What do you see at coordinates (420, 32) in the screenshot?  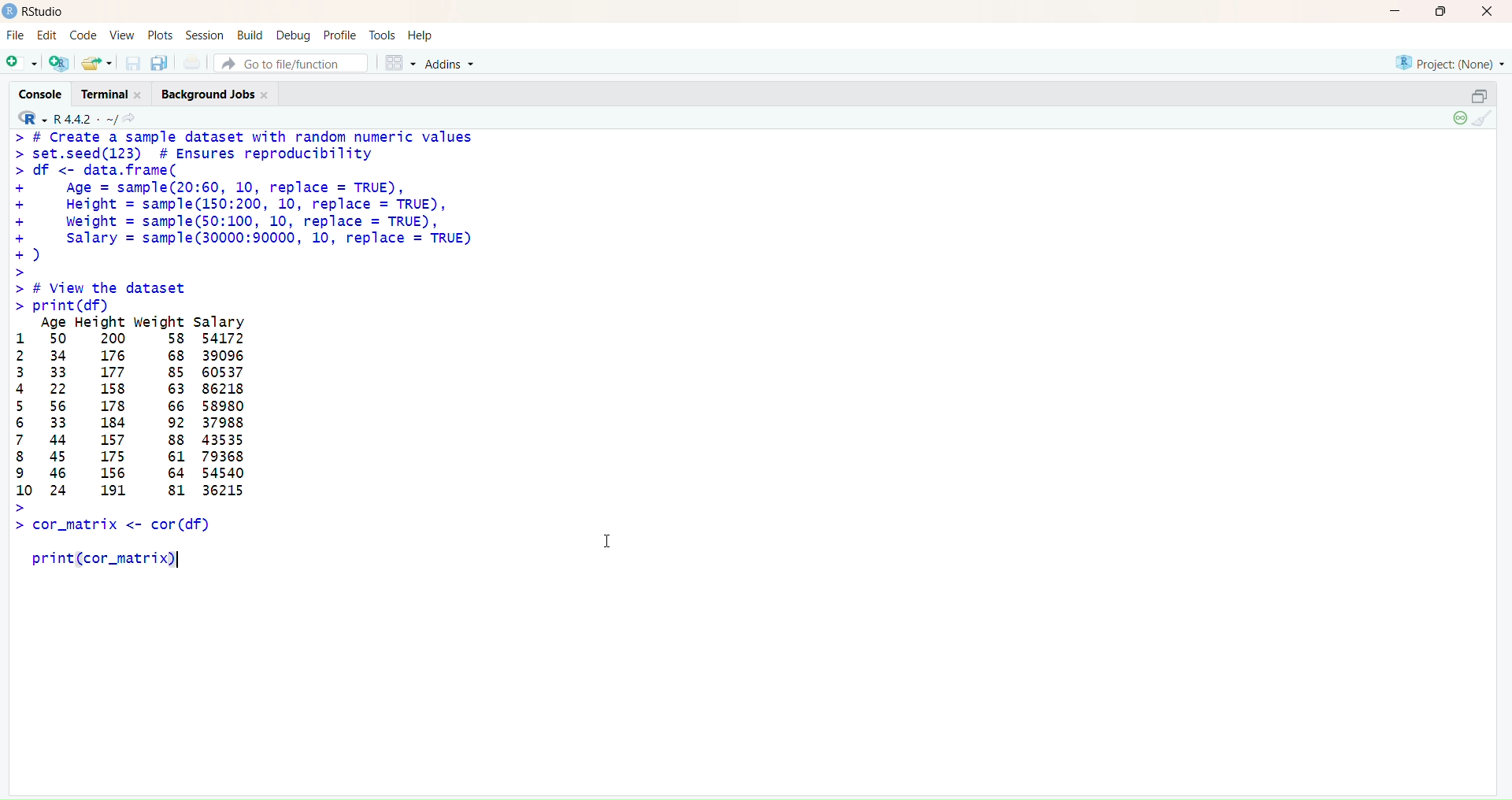 I see `Help` at bounding box center [420, 32].